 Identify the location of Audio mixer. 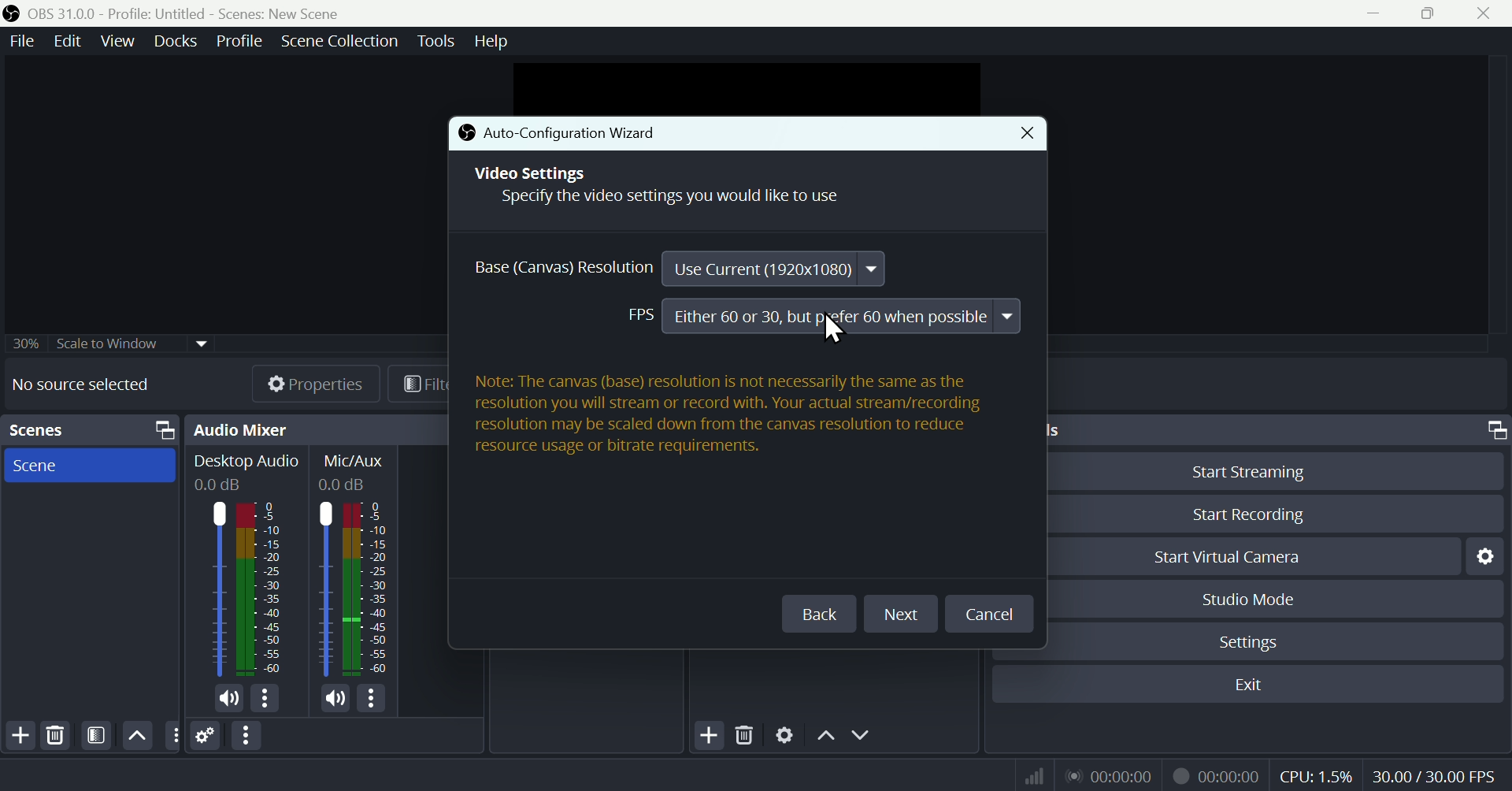
(246, 567).